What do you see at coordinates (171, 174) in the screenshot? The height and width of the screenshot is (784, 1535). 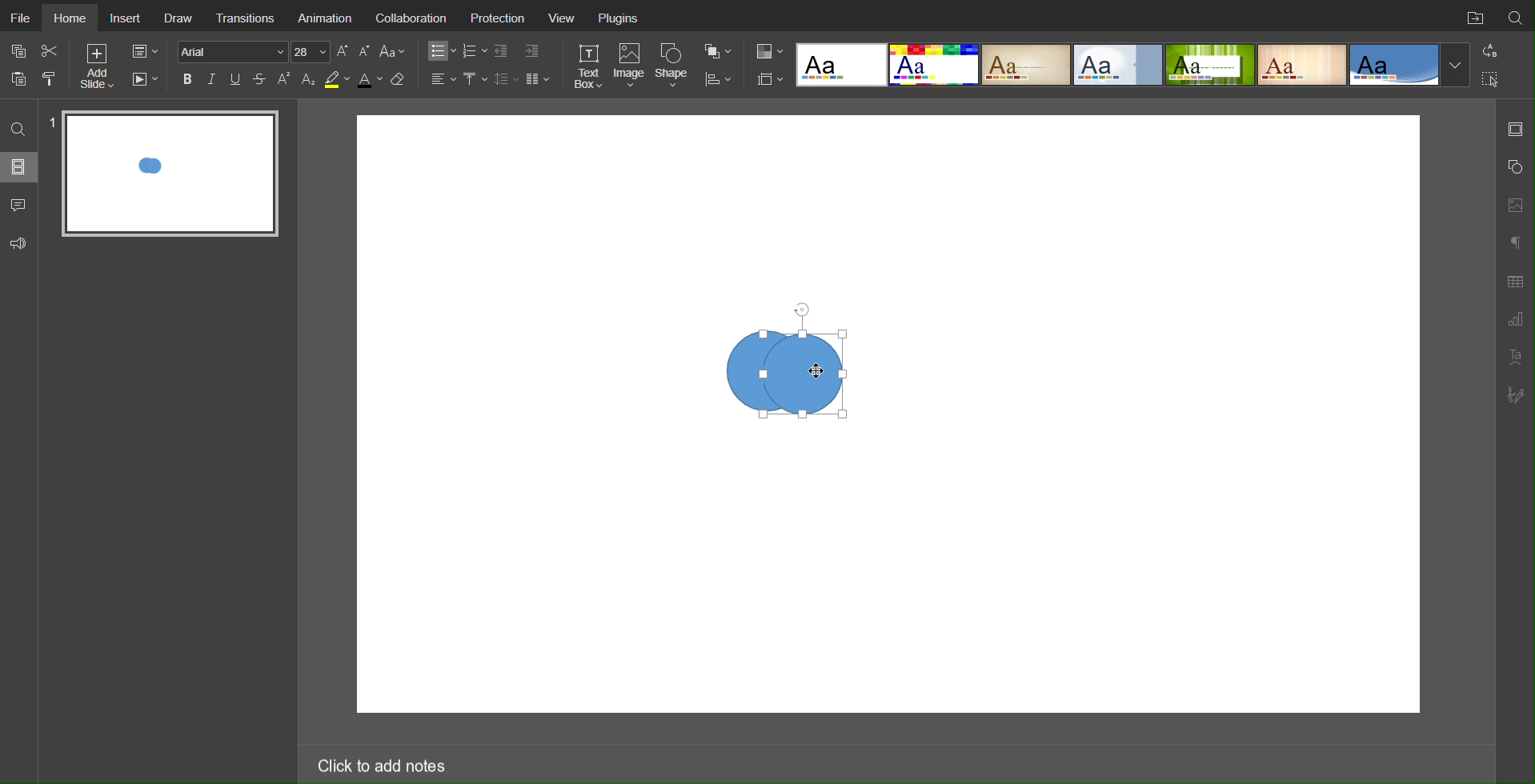 I see `Slide 1` at bounding box center [171, 174].